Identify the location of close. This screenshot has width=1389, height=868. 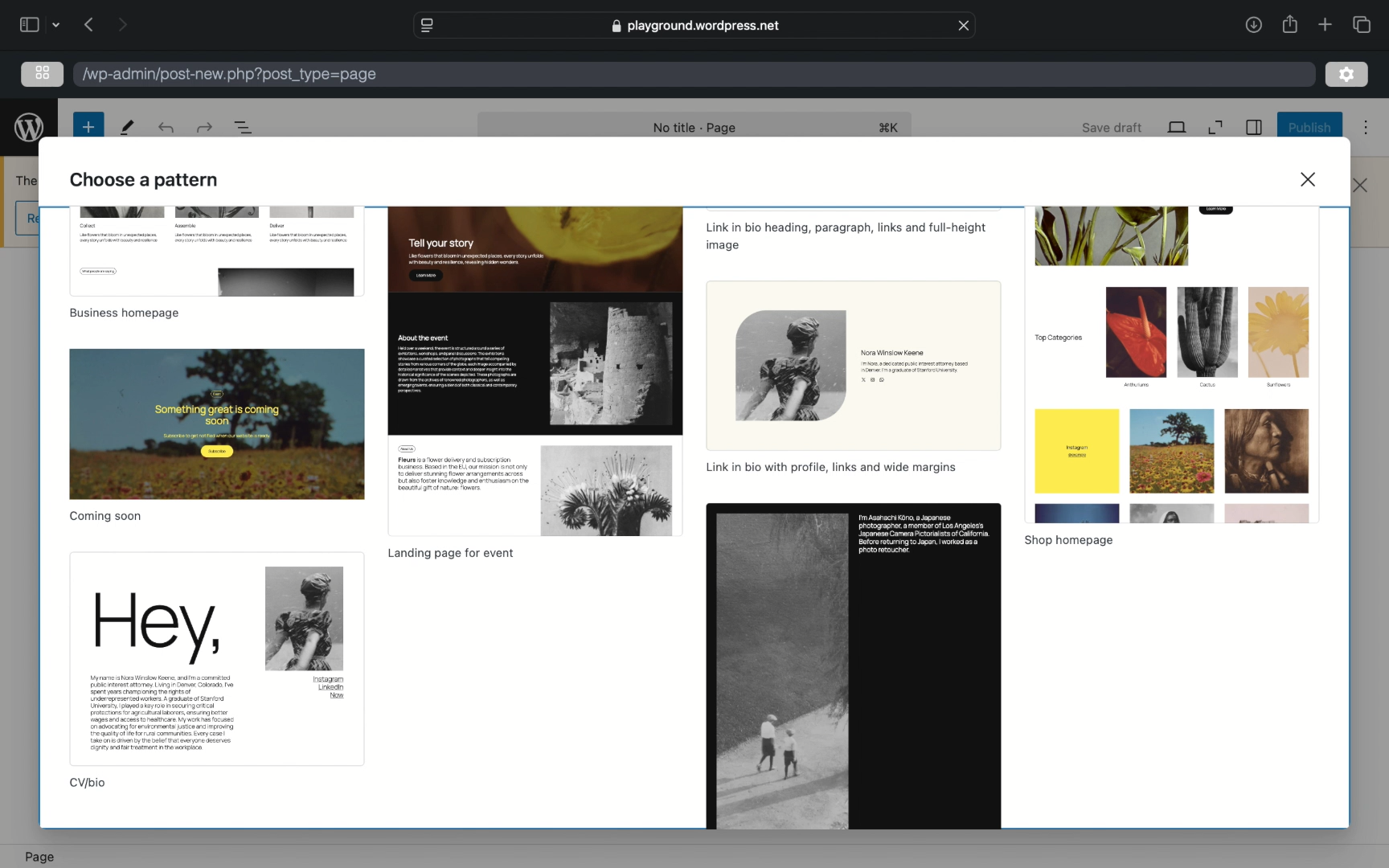
(1307, 178).